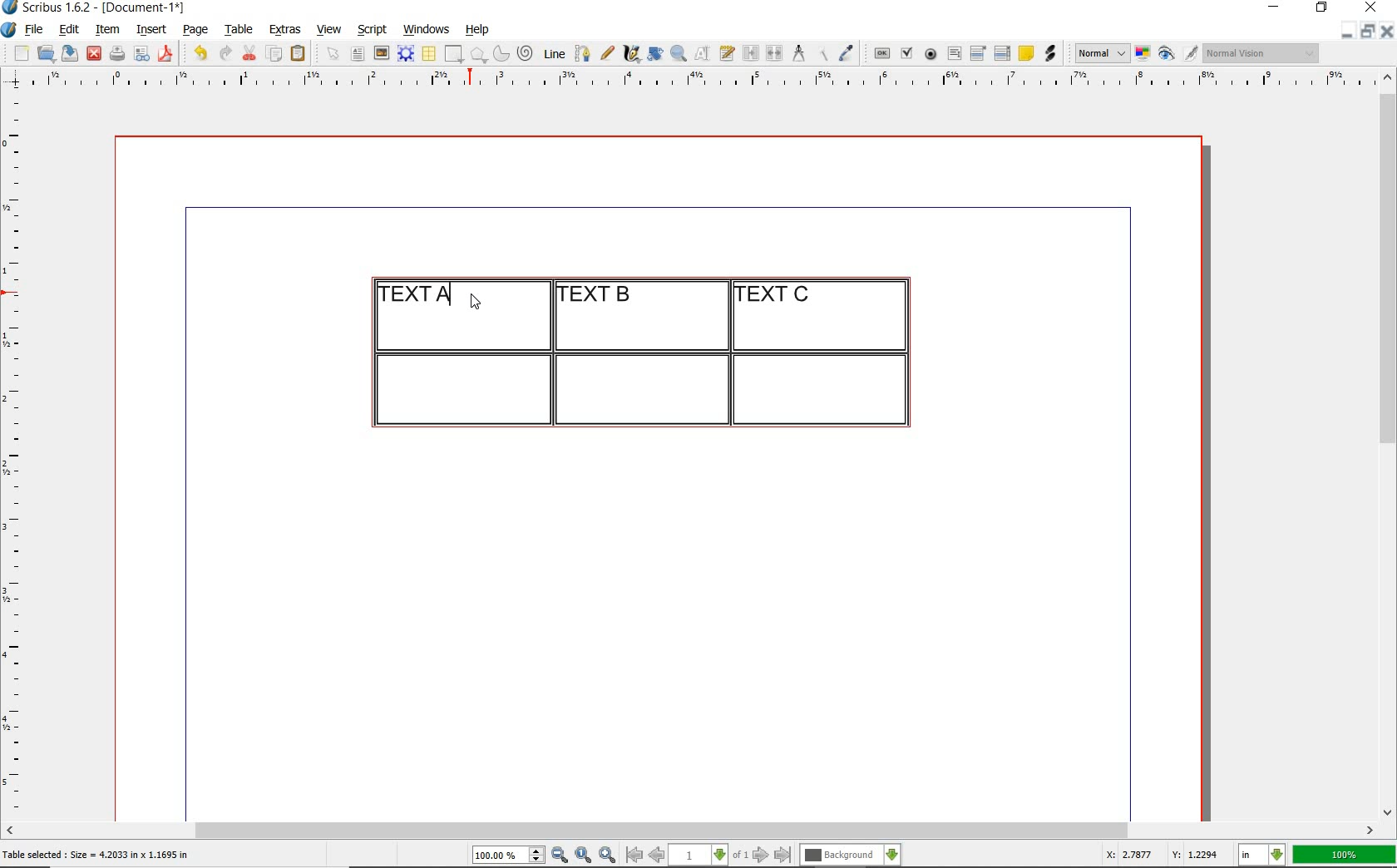  What do you see at coordinates (633, 855) in the screenshot?
I see `go to first page` at bounding box center [633, 855].